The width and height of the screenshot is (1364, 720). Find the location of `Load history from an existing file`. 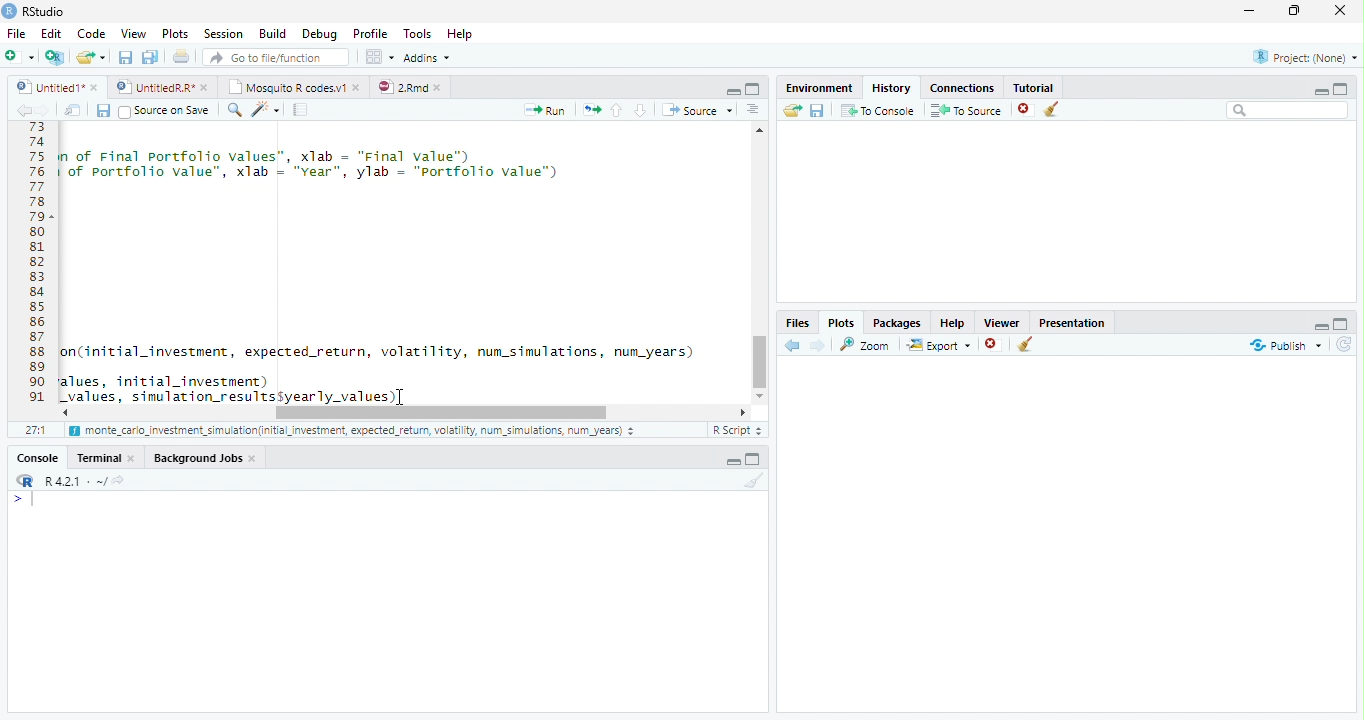

Load history from an existing file is located at coordinates (791, 111).